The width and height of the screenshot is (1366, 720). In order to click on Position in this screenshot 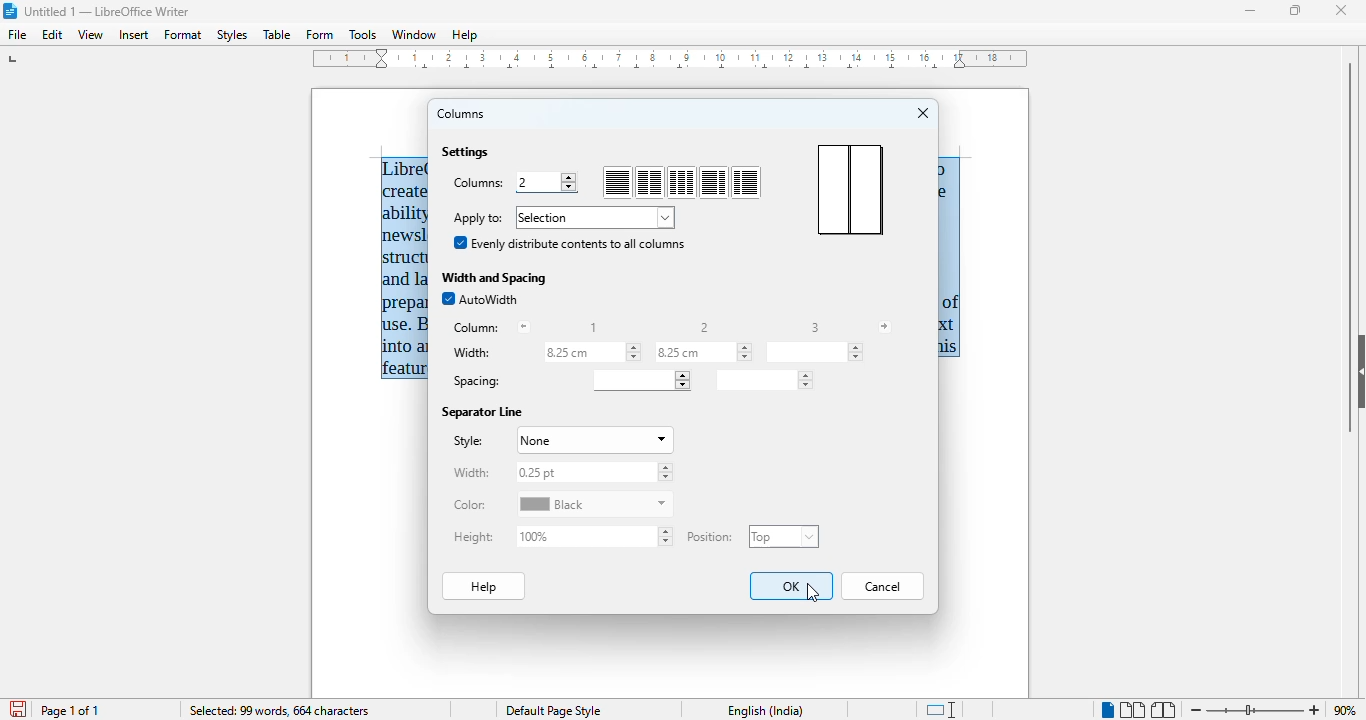, I will do `click(713, 534)`.